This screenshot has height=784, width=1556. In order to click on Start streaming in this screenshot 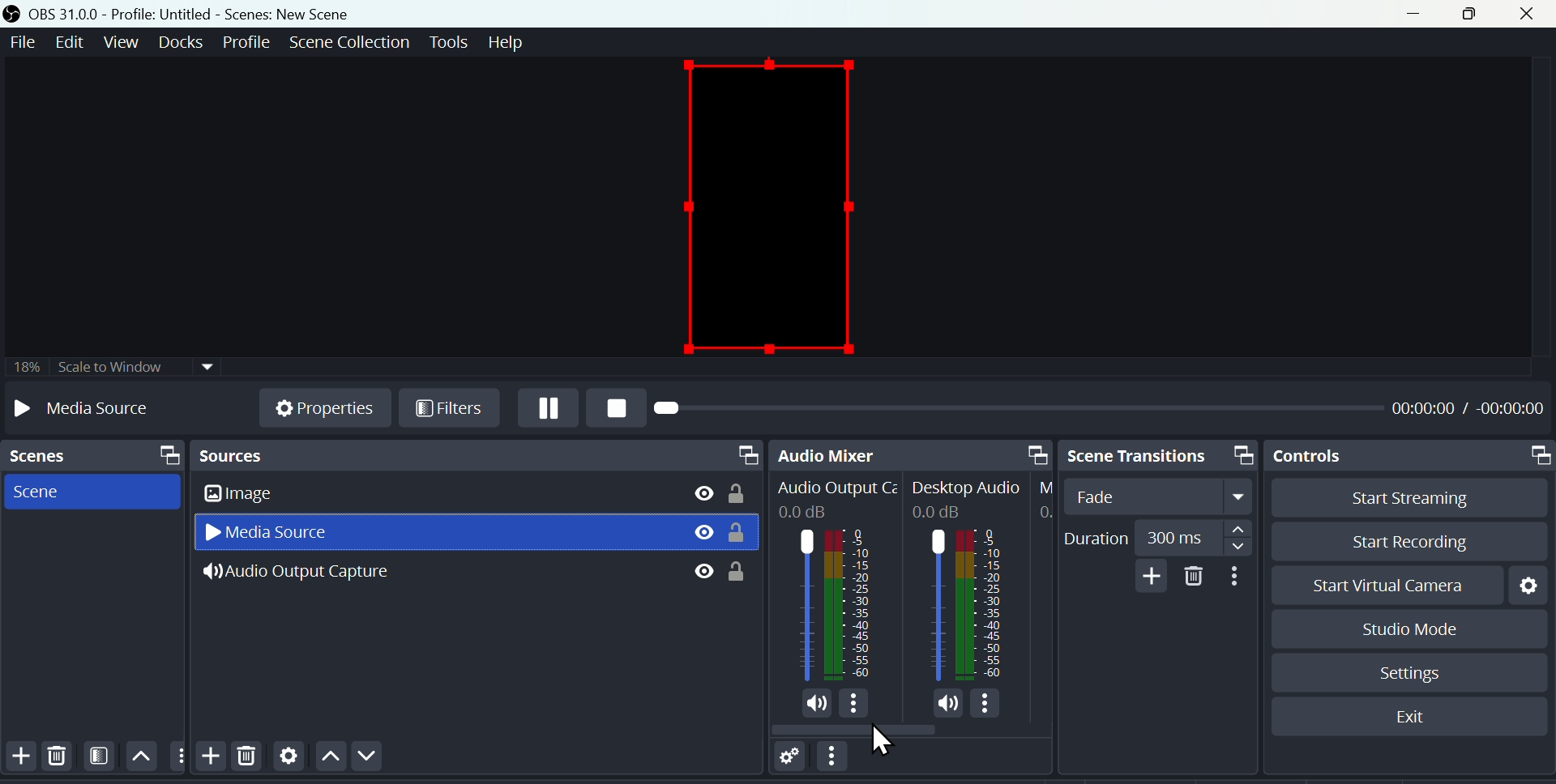, I will do `click(1400, 498)`.